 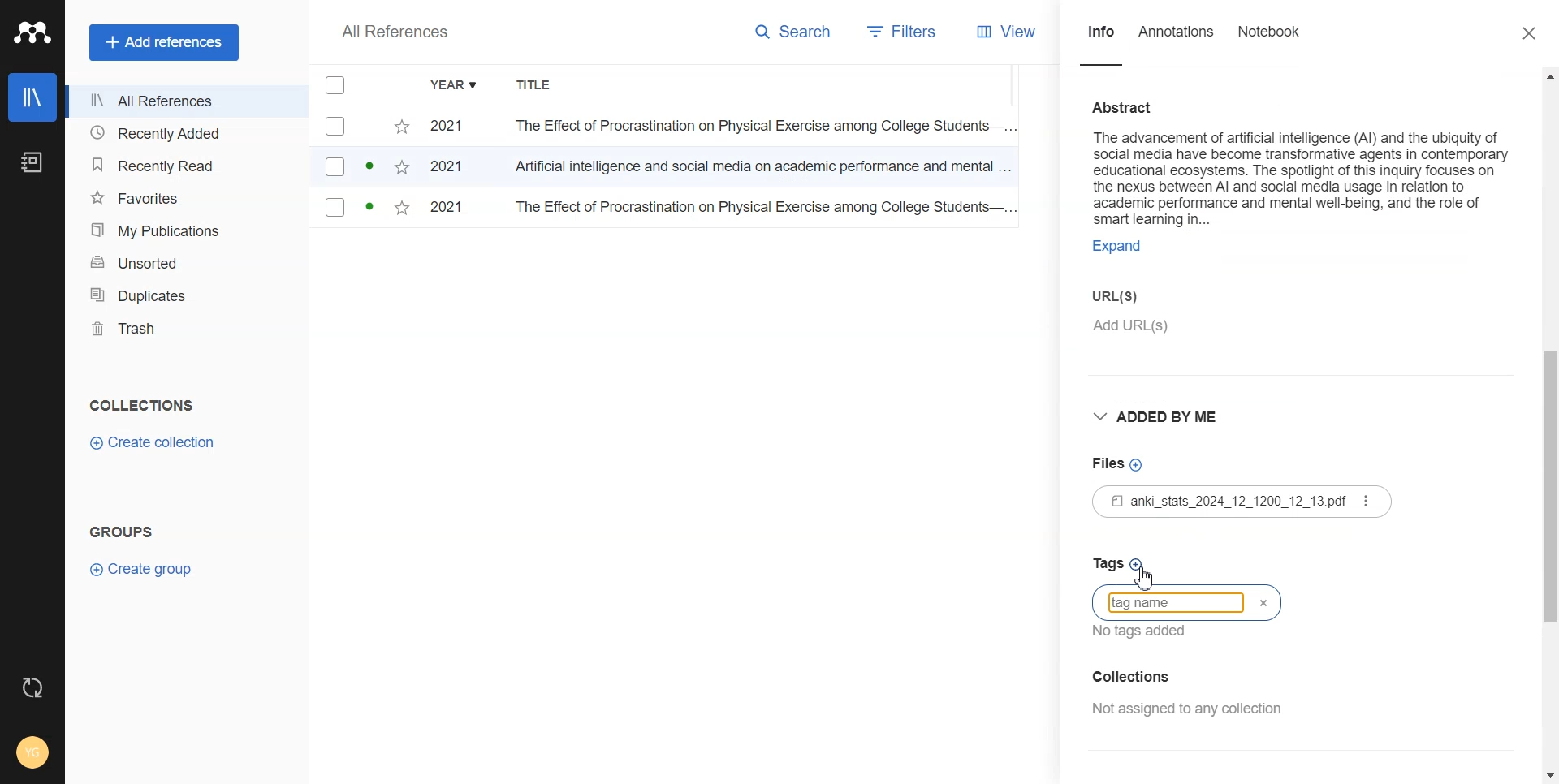 I want to click on checkbox, so click(x=363, y=127).